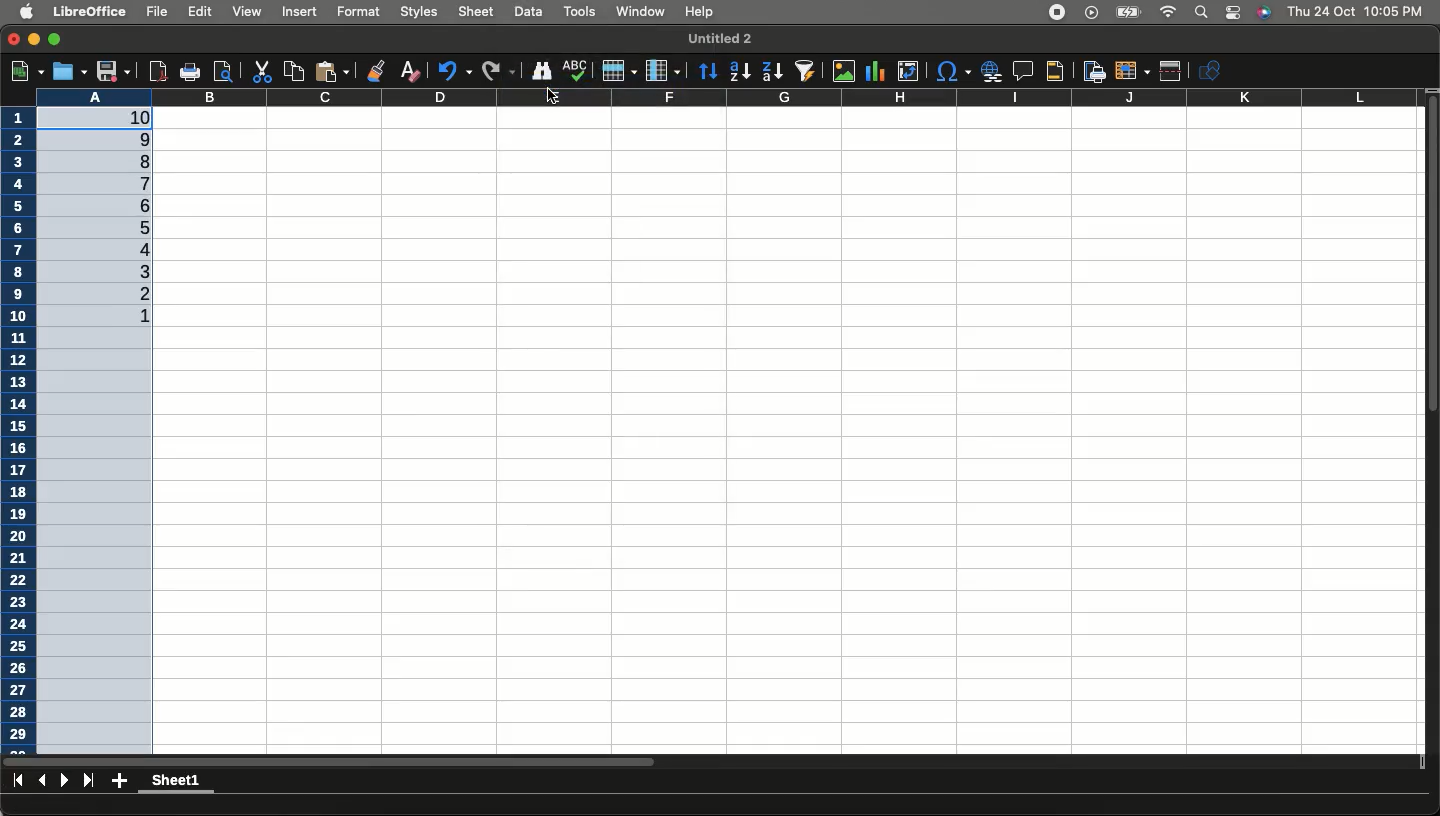  I want to click on Recording, so click(1058, 13).